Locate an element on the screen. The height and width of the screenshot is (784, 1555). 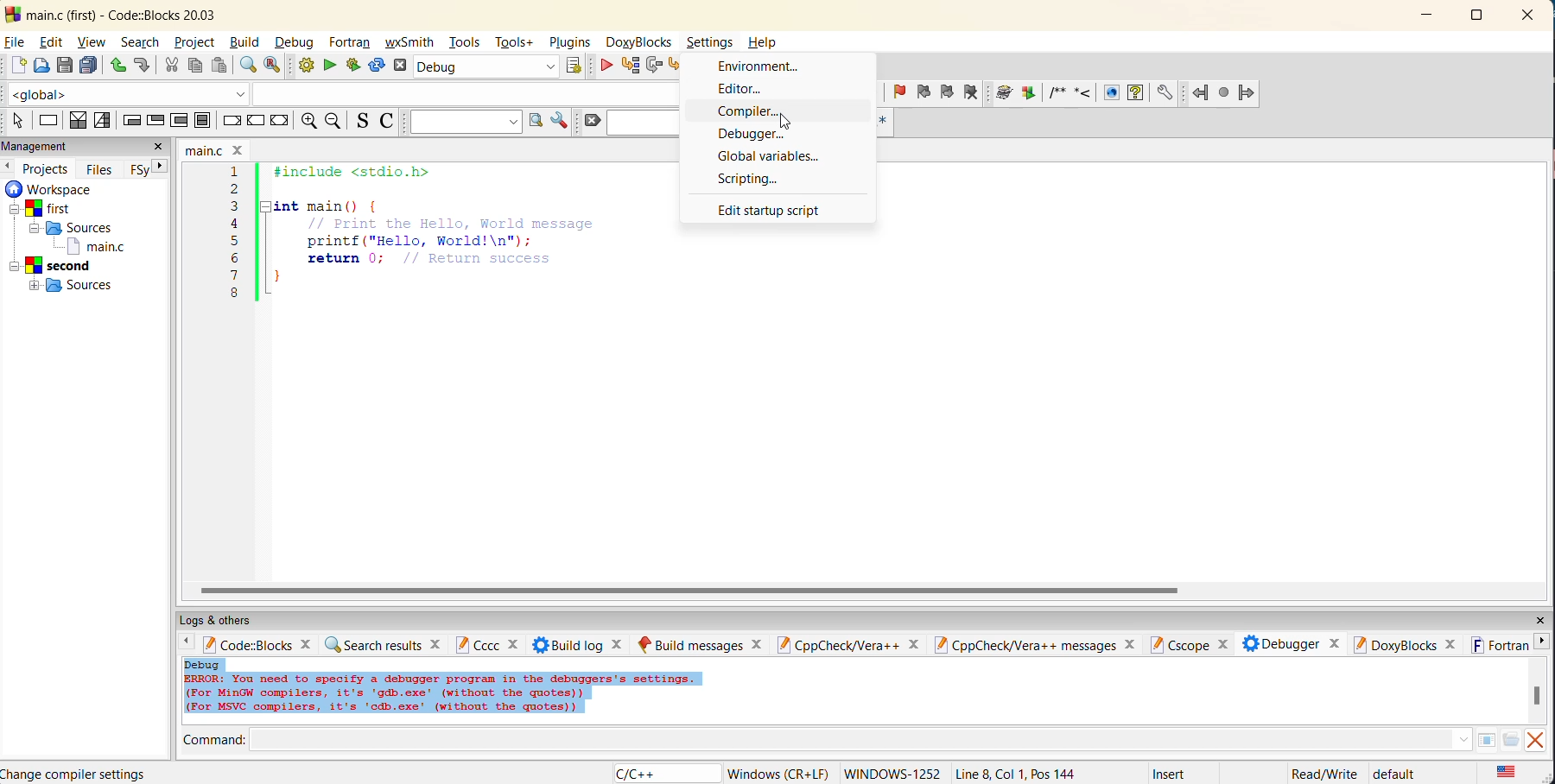
environment is located at coordinates (759, 67).